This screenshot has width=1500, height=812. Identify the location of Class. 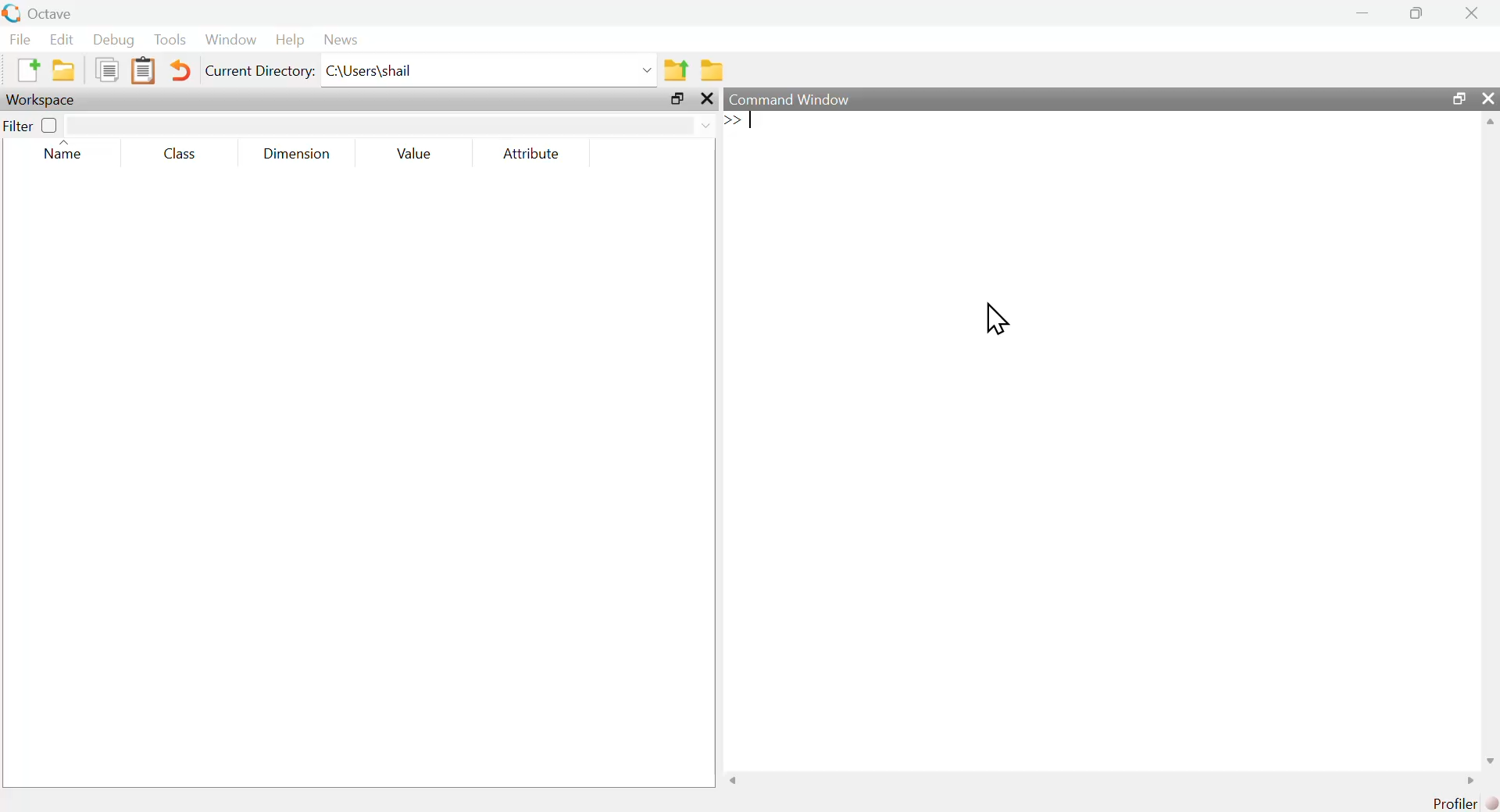
(184, 154).